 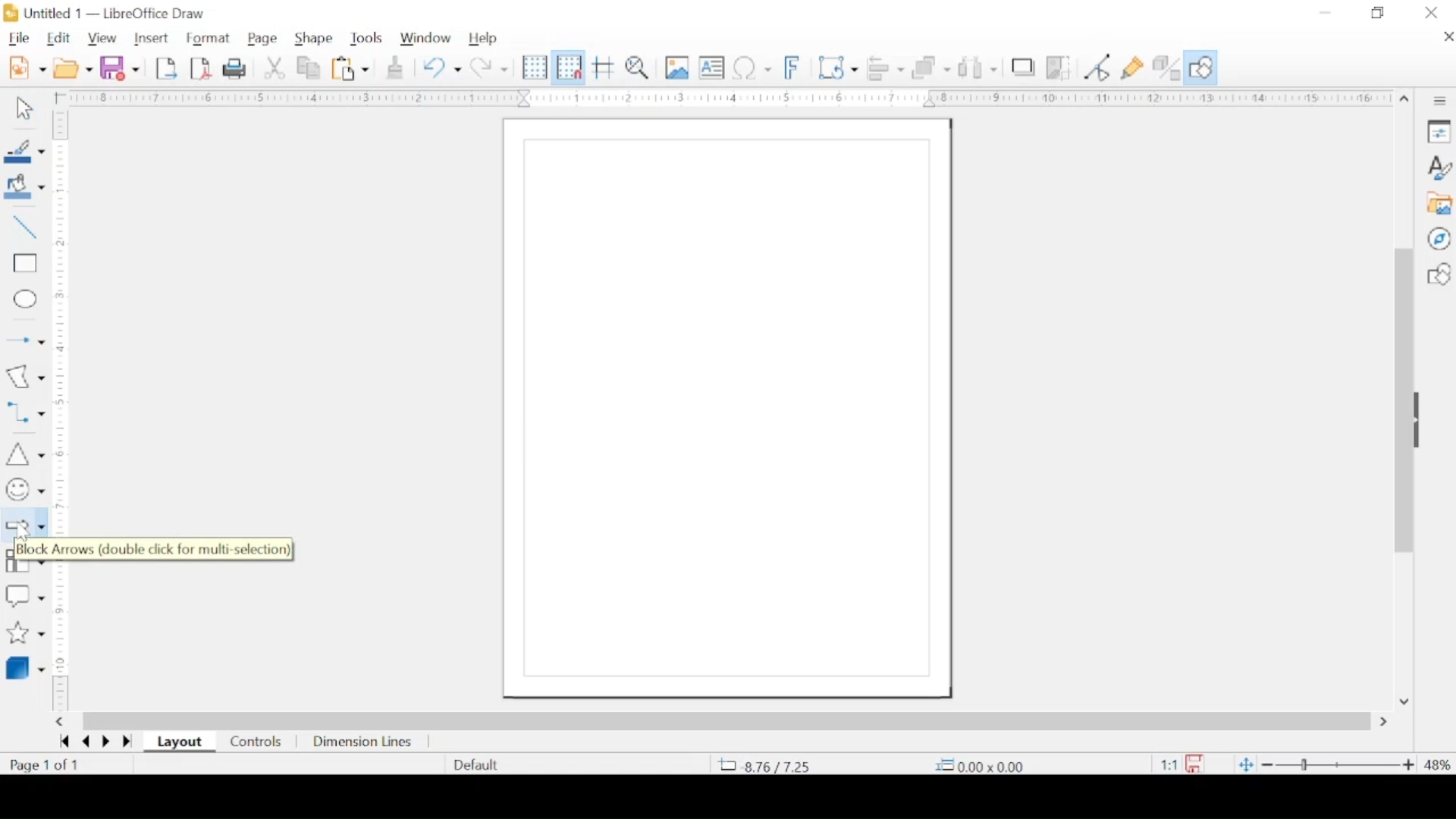 I want to click on 3d object, so click(x=27, y=667).